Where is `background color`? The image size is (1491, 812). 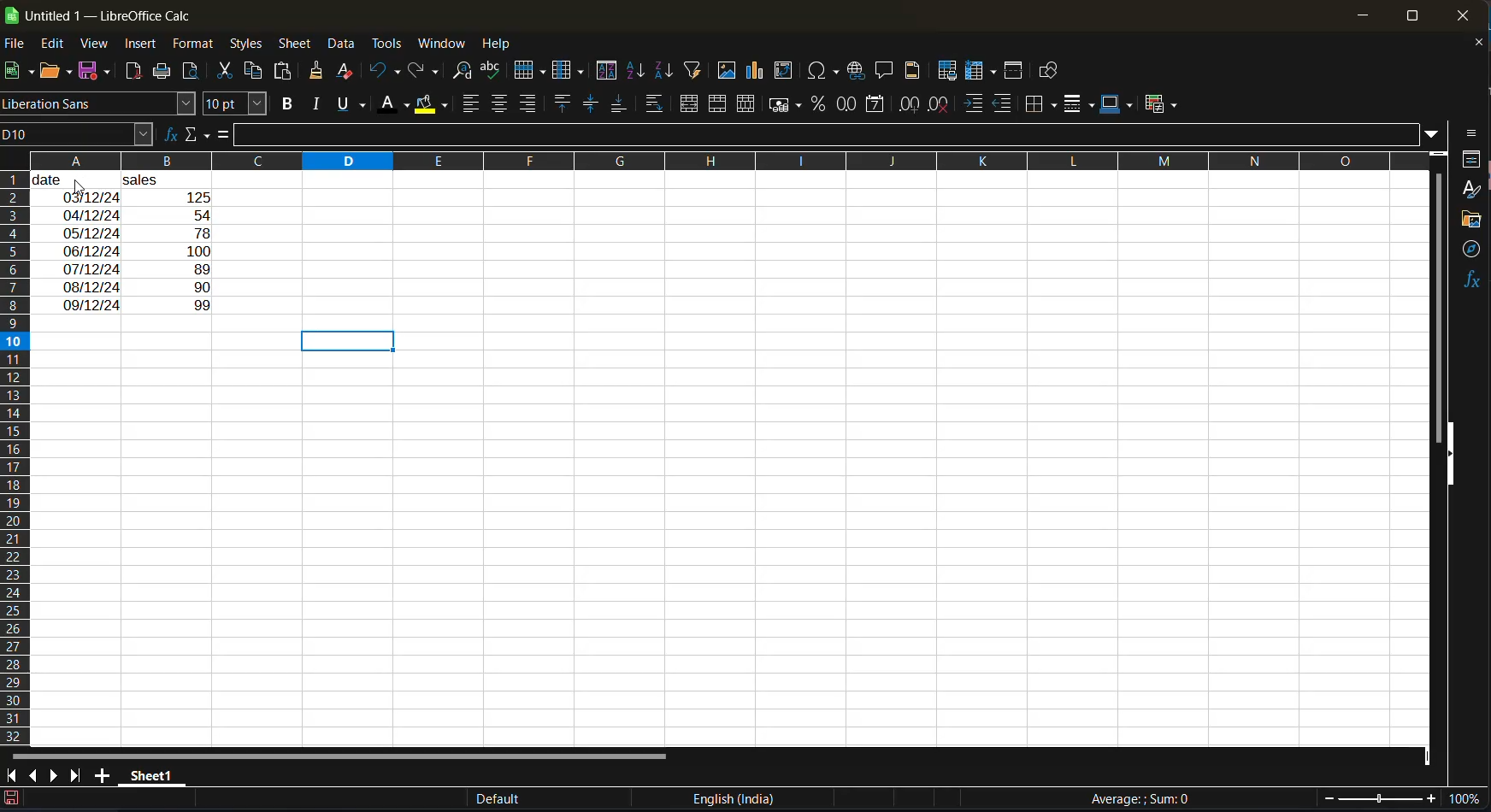 background color is located at coordinates (432, 106).